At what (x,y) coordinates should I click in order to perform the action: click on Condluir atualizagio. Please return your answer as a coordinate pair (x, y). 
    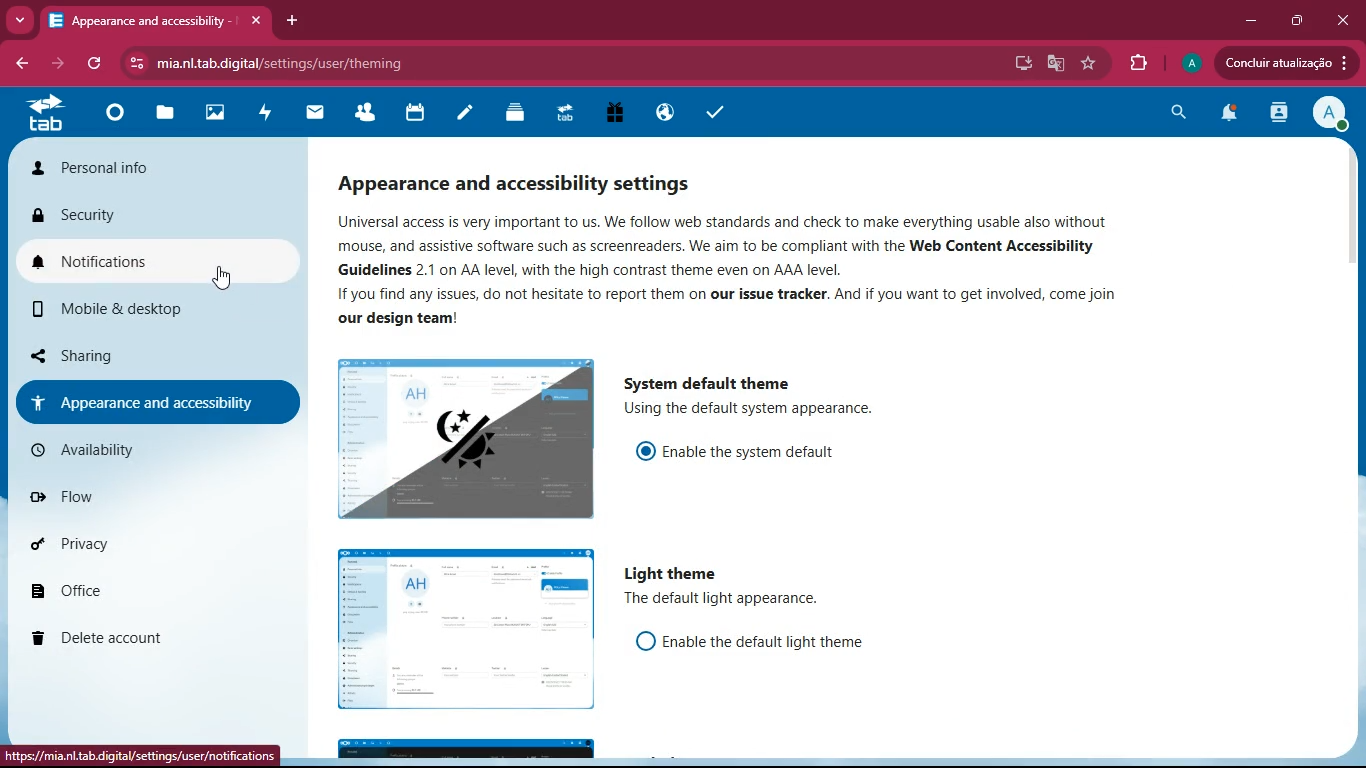
    Looking at the image, I should click on (1293, 65).